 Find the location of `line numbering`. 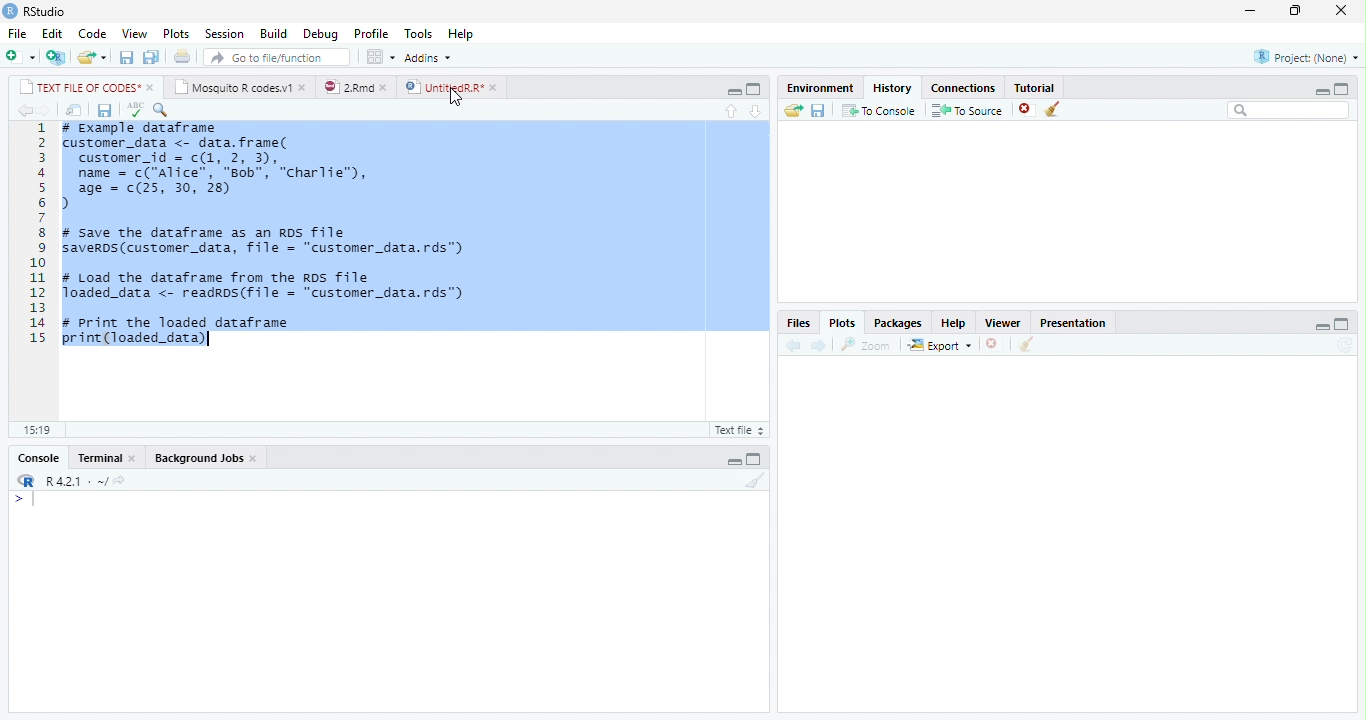

line numbering is located at coordinates (38, 232).